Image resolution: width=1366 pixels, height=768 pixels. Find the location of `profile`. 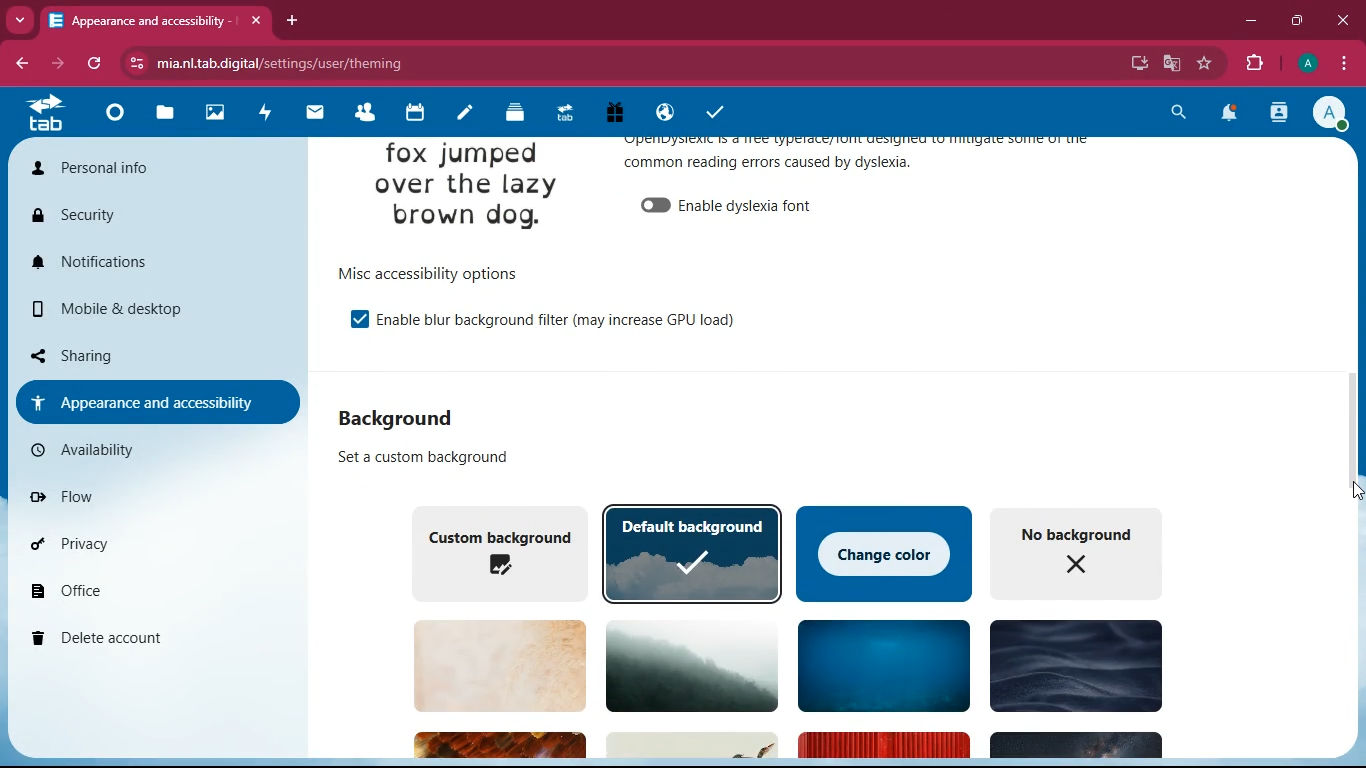

profile is located at coordinates (1331, 115).